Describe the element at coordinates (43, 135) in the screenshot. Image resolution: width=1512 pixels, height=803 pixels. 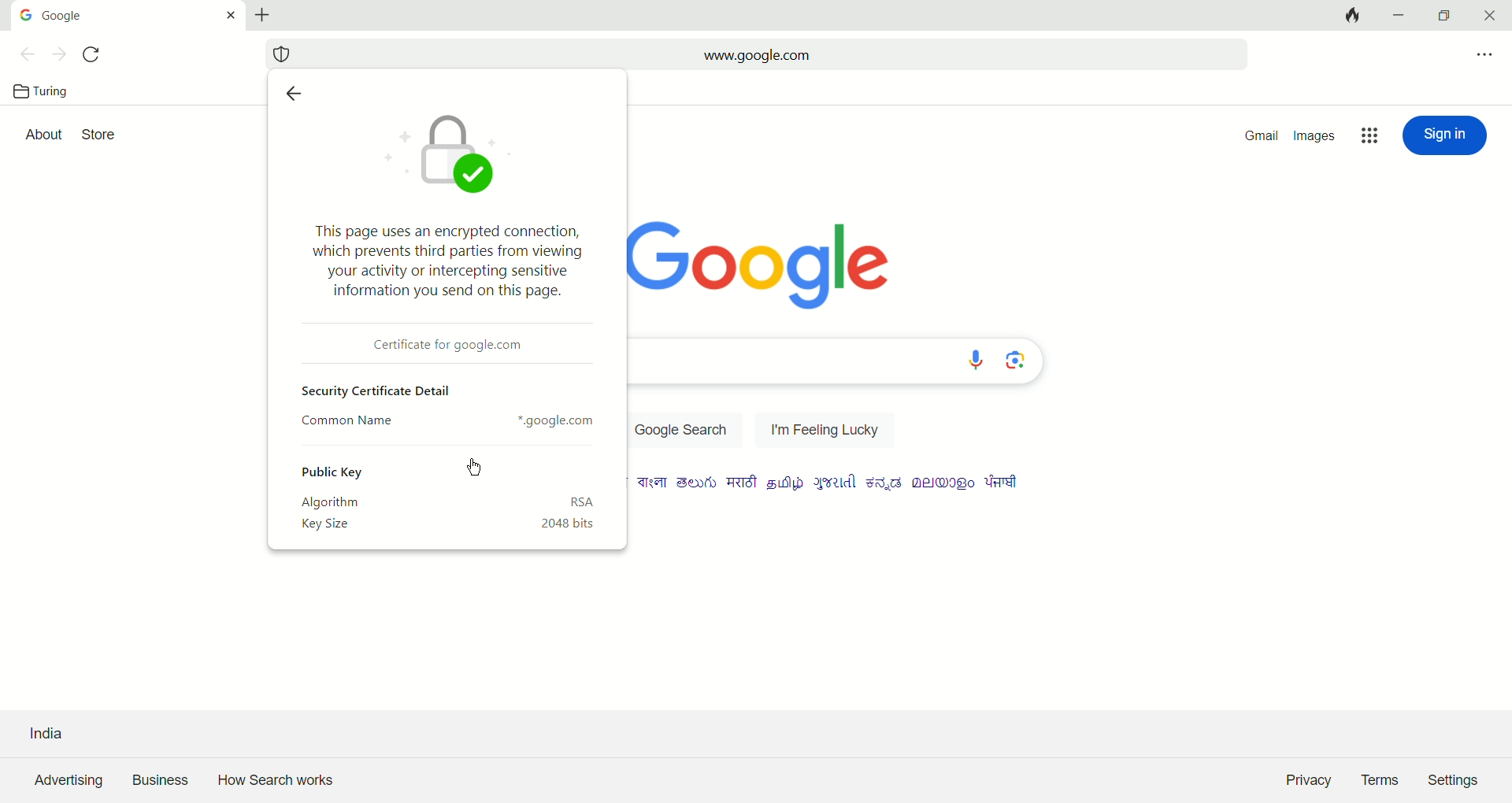
I see `about` at that location.